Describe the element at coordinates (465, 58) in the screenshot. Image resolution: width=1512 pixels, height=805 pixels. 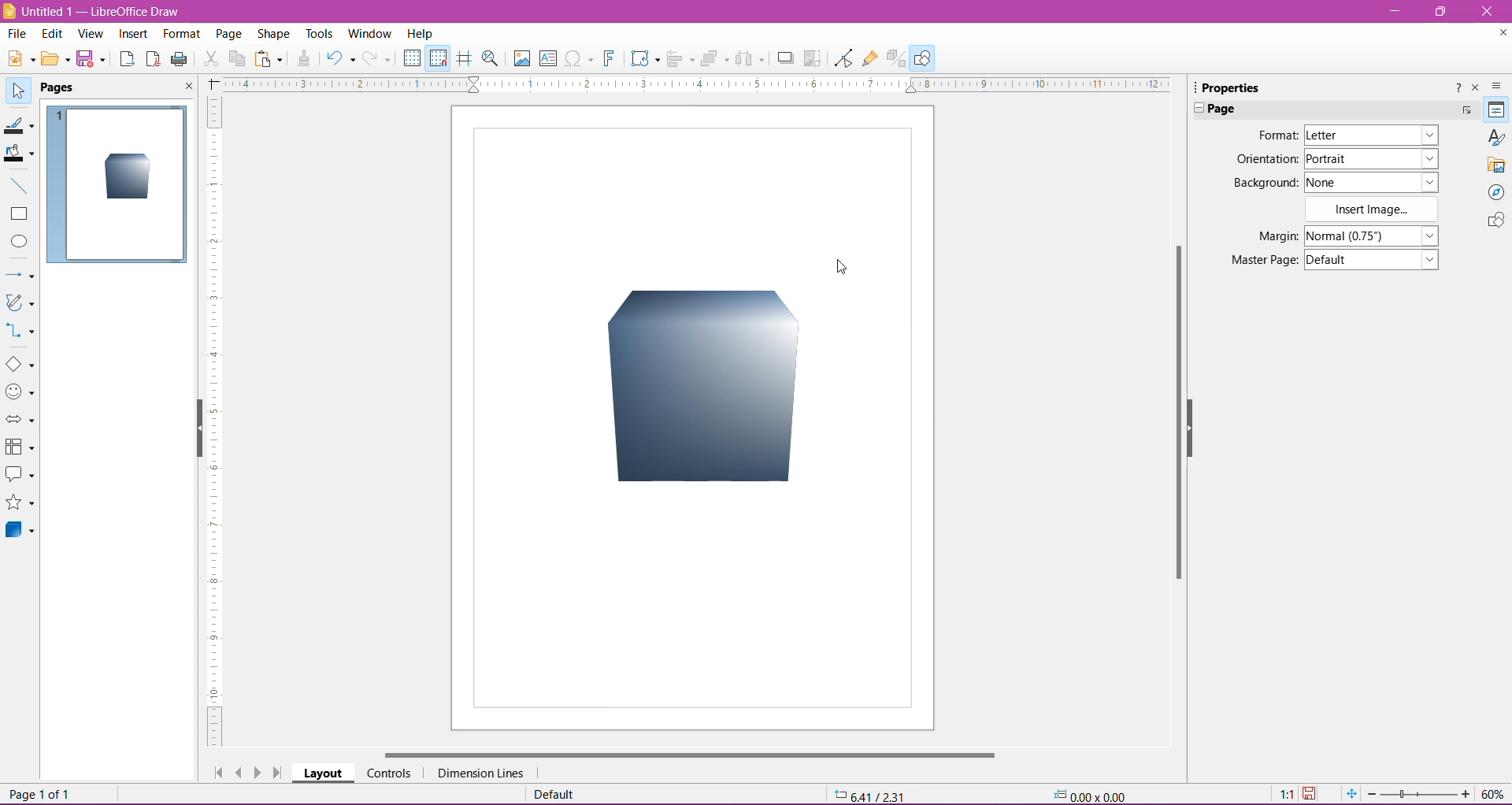
I see `Helplines while moving` at that location.